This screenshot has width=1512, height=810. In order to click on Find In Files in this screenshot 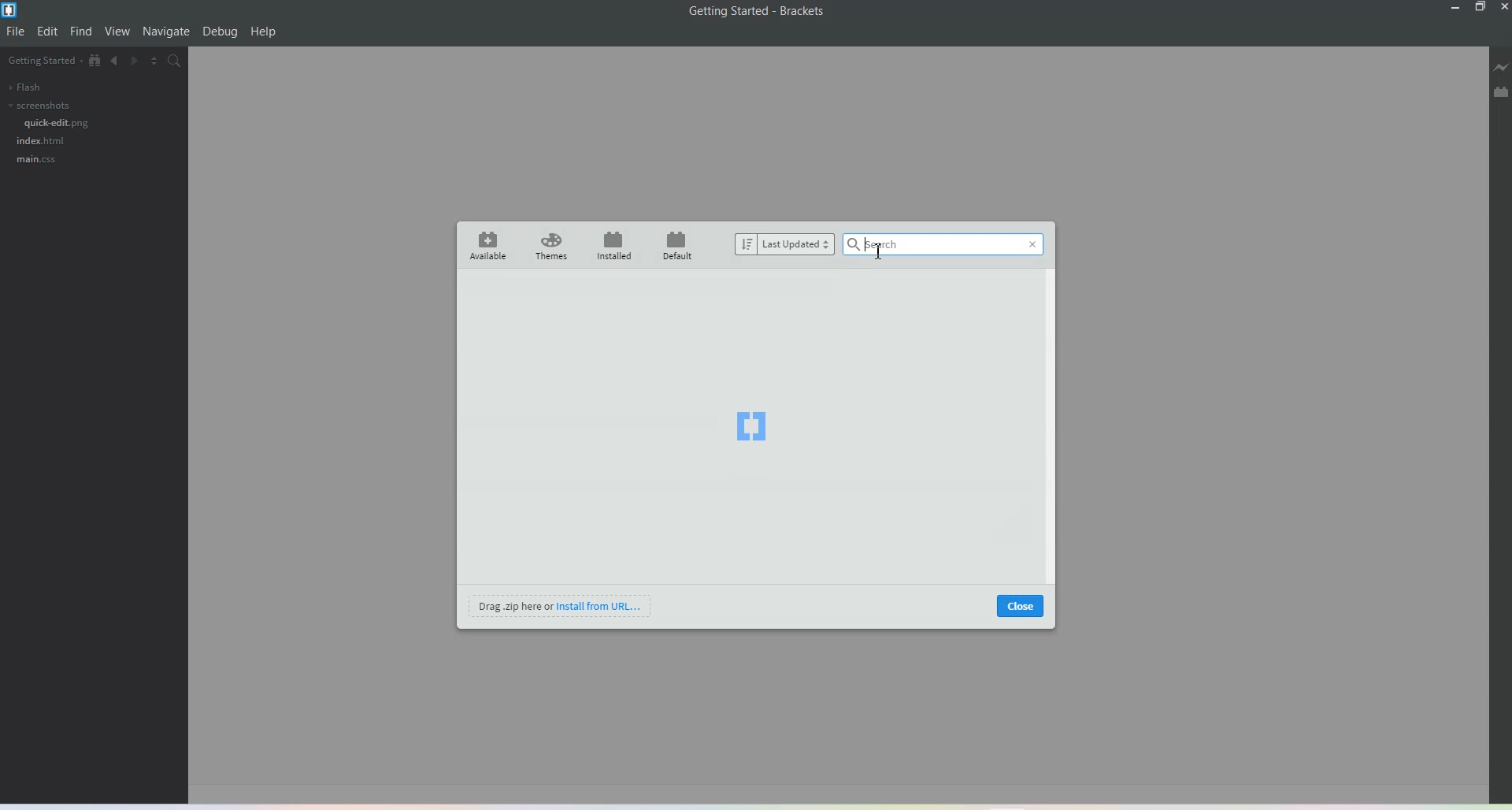, I will do `click(180, 61)`.